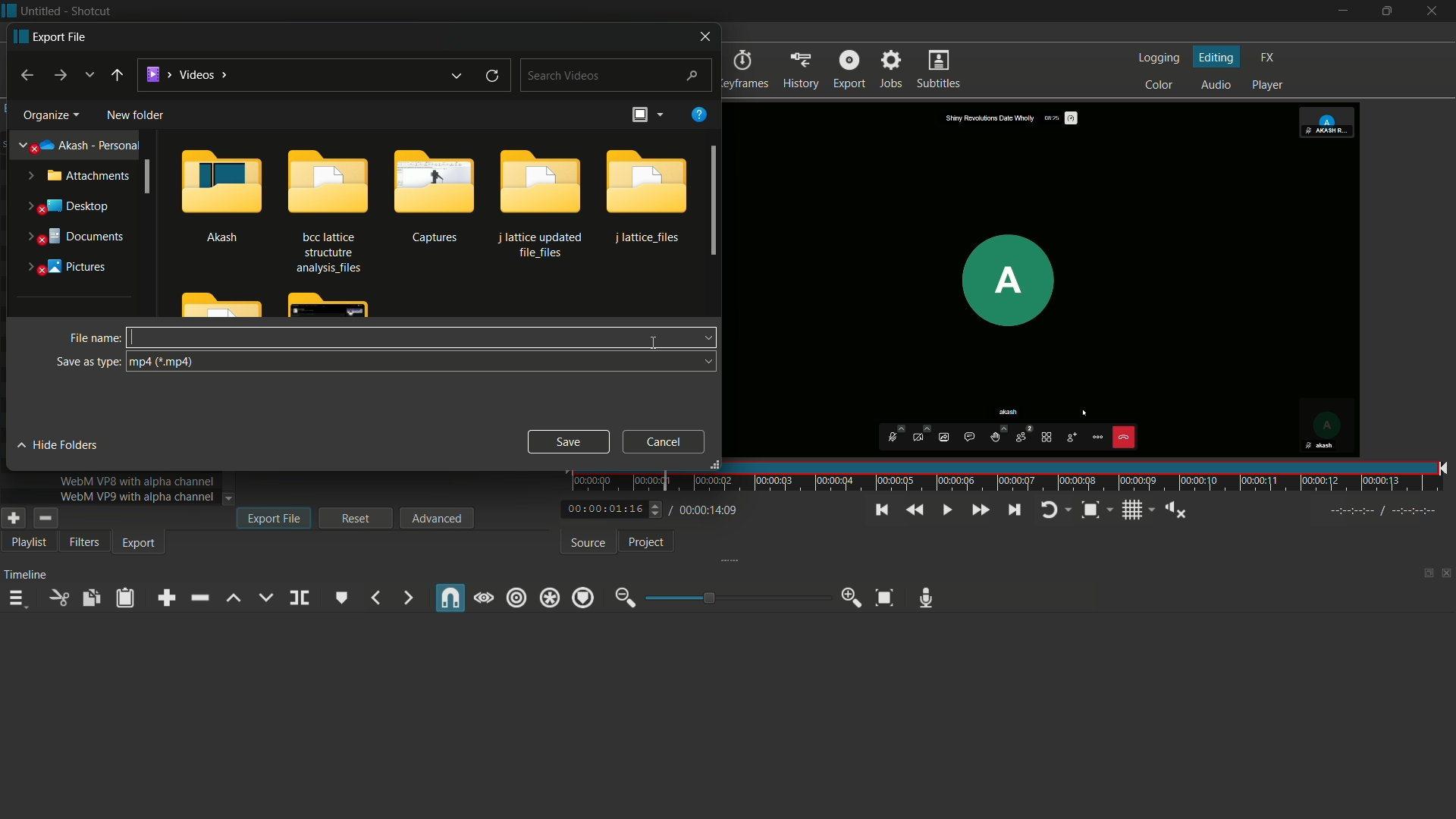 This screenshot has height=819, width=1456. Describe the element at coordinates (133, 337) in the screenshot. I see `cursor` at that location.